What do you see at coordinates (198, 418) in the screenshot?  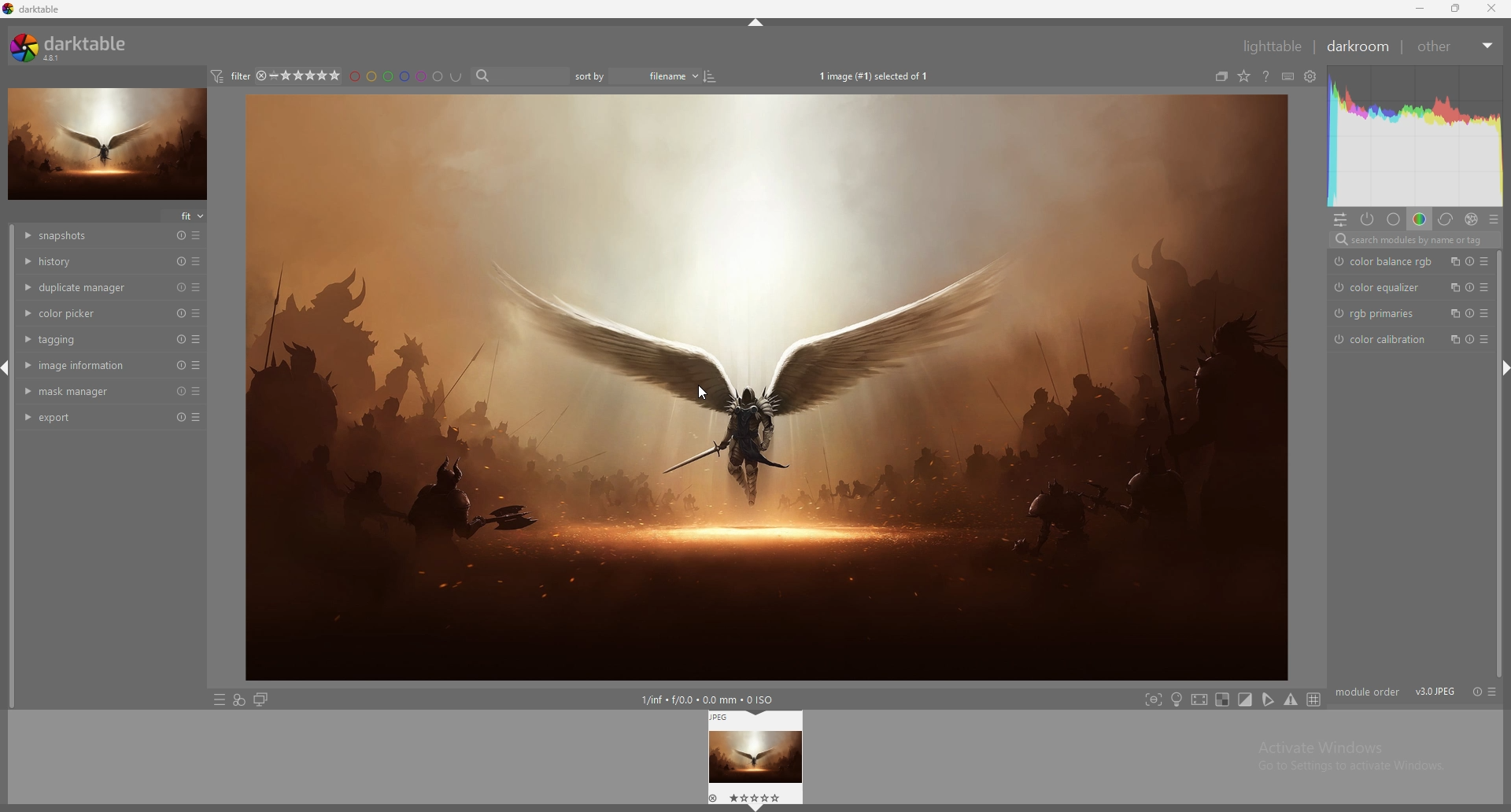 I see `preset` at bounding box center [198, 418].